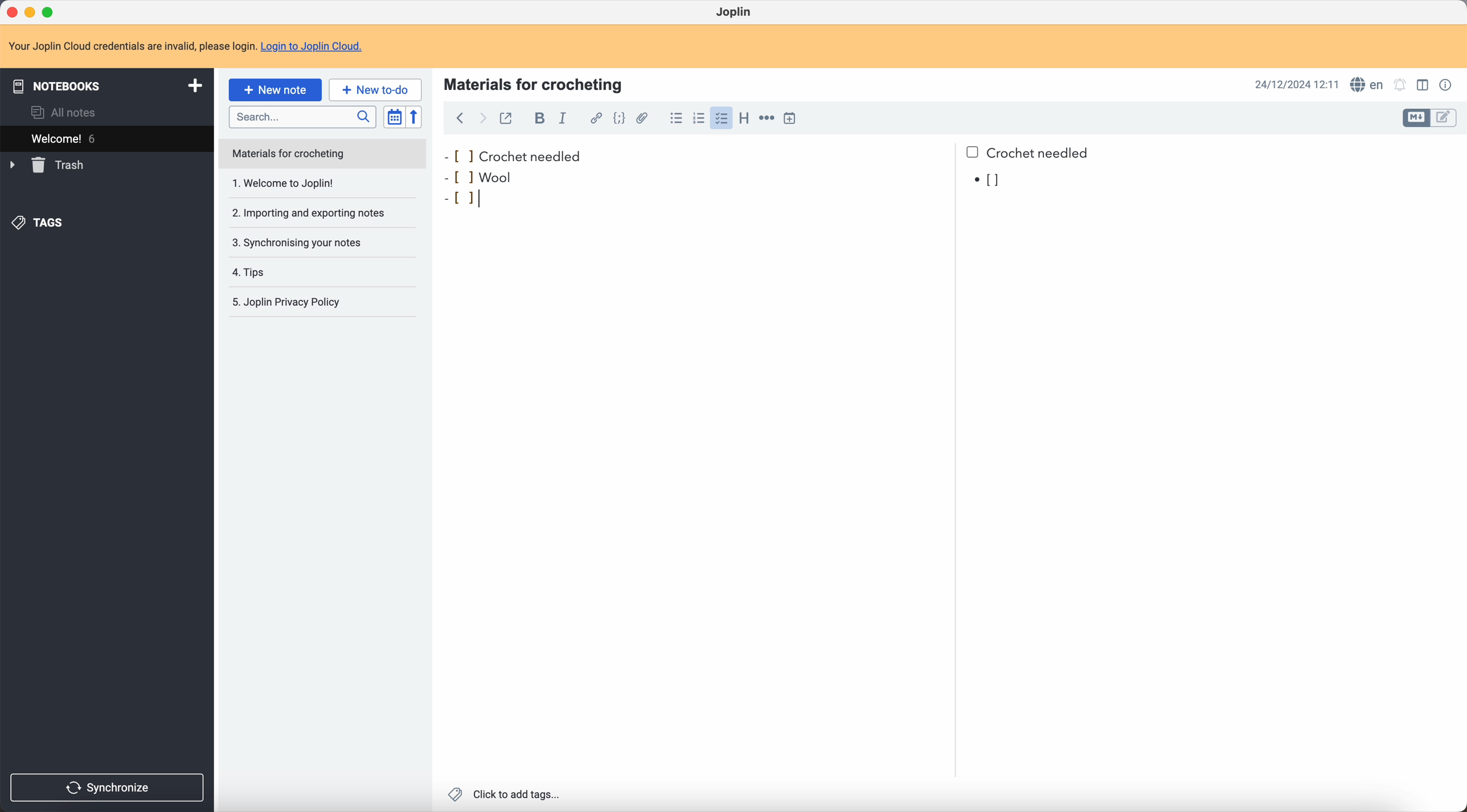  What do you see at coordinates (416, 117) in the screenshot?
I see `reverse sort order` at bounding box center [416, 117].